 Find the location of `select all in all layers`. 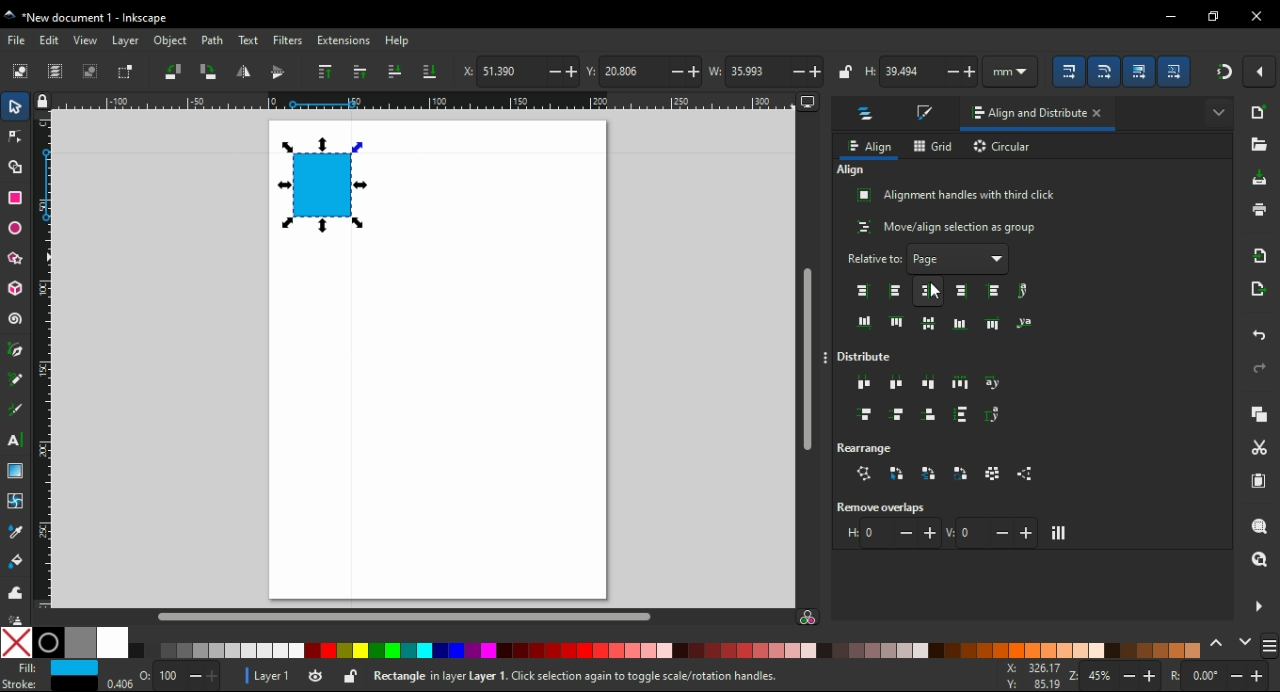

select all in all layers is located at coordinates (56, 71).